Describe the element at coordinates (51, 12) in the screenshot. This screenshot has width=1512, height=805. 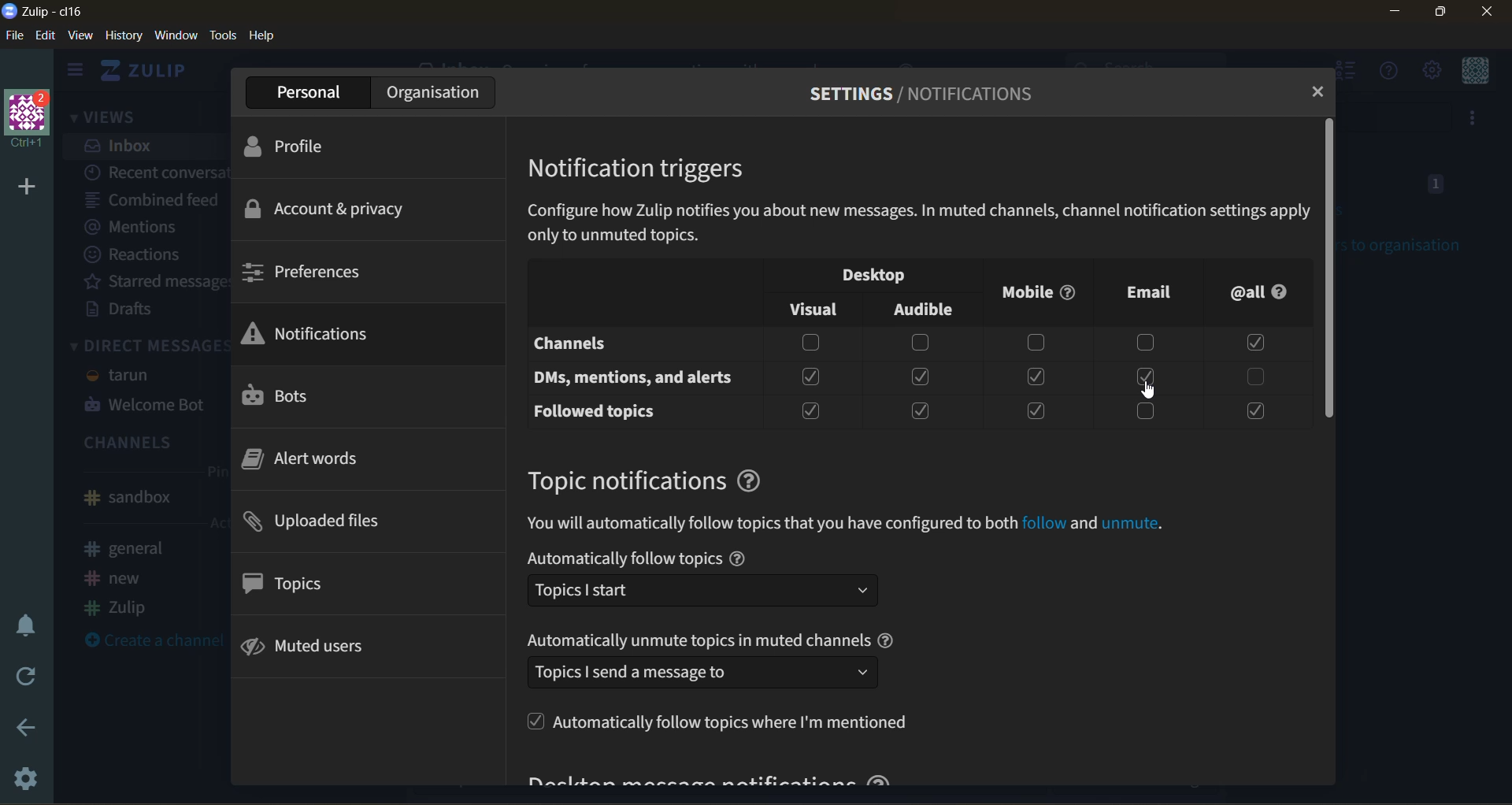
I see `app name and organisation name` at that location.